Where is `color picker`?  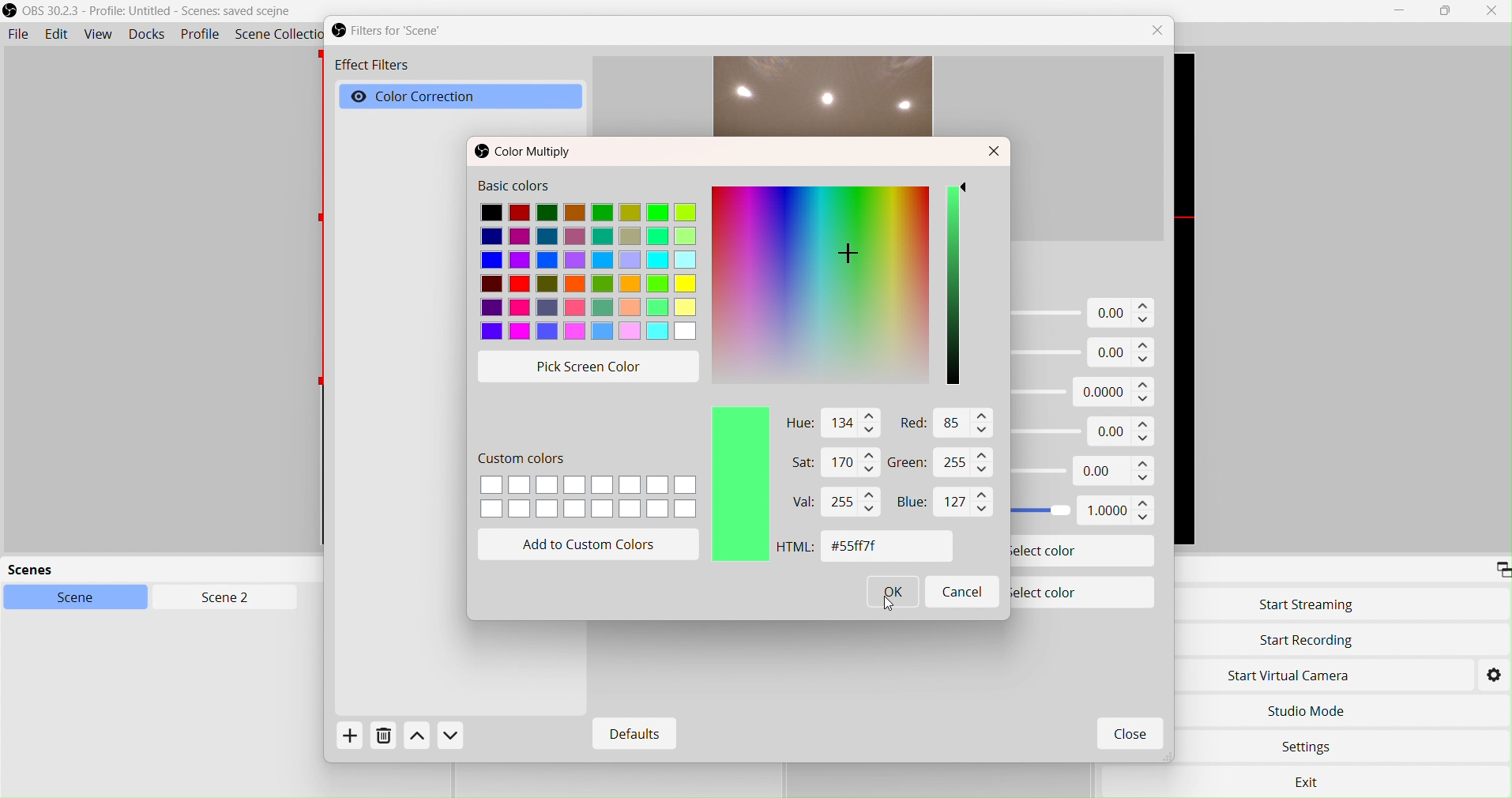
color picker is located at coordinates (822, 288).